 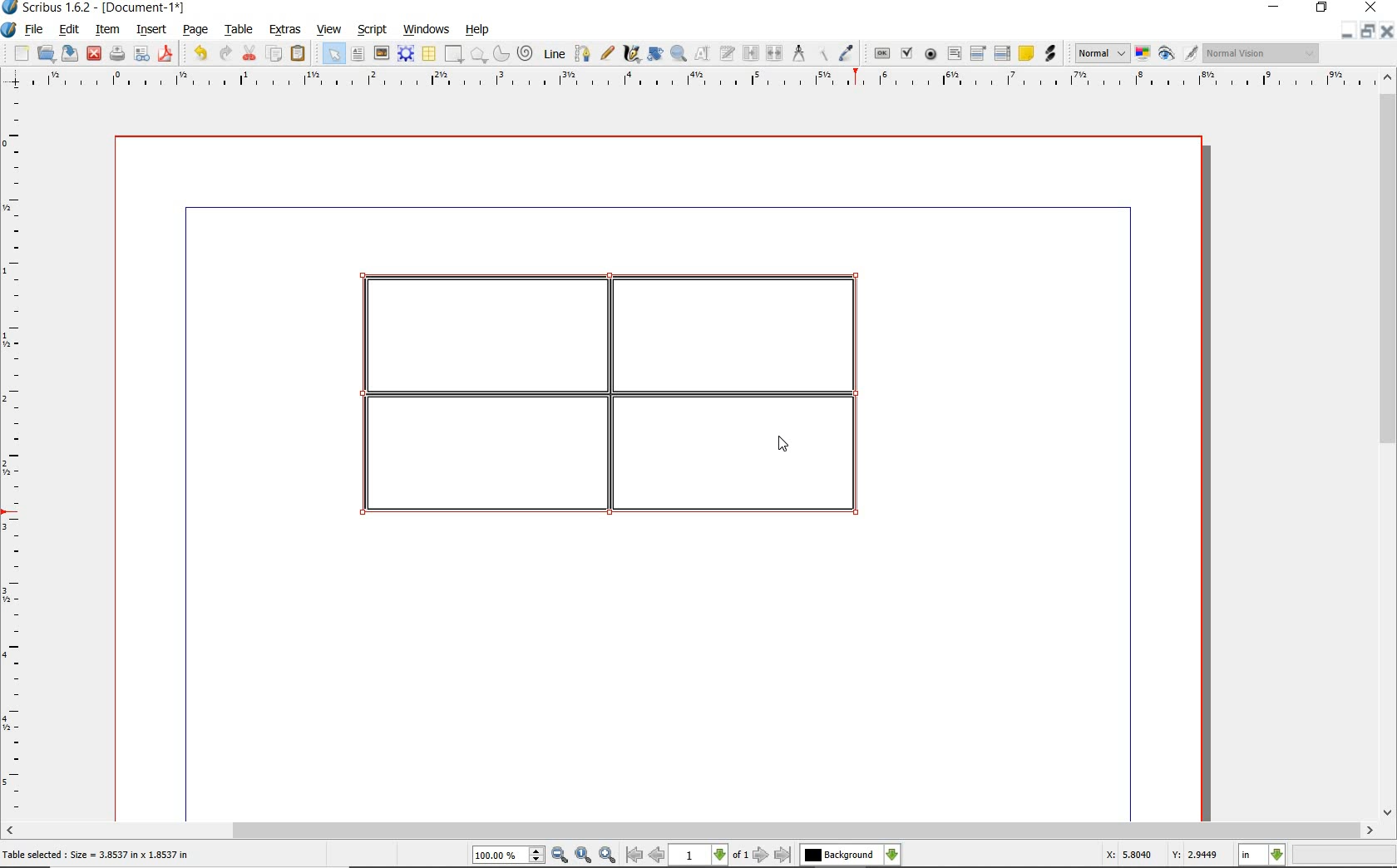 I want to click on shape, so click(x=452, y=55).